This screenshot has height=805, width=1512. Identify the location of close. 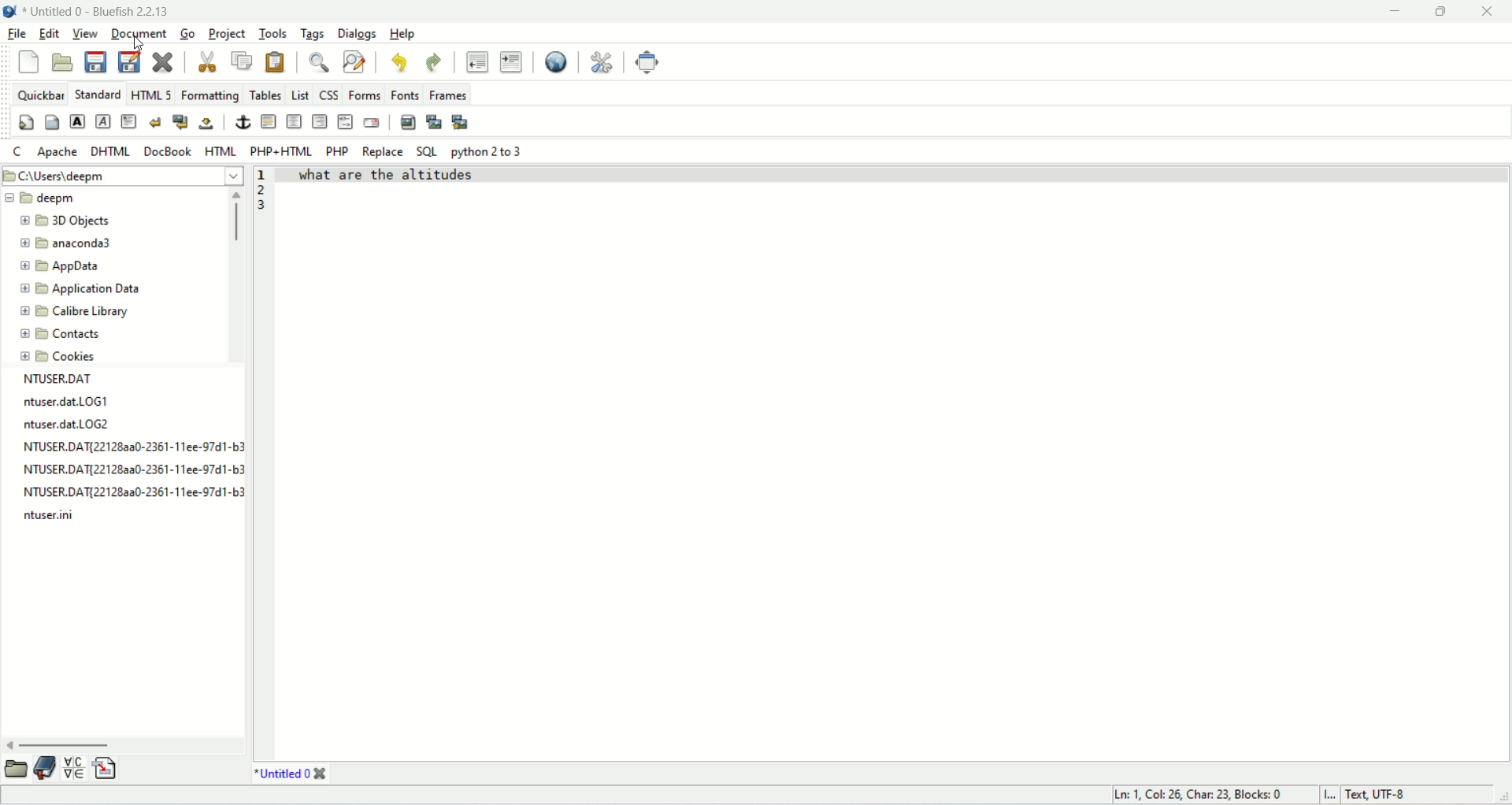
(1487, 12).